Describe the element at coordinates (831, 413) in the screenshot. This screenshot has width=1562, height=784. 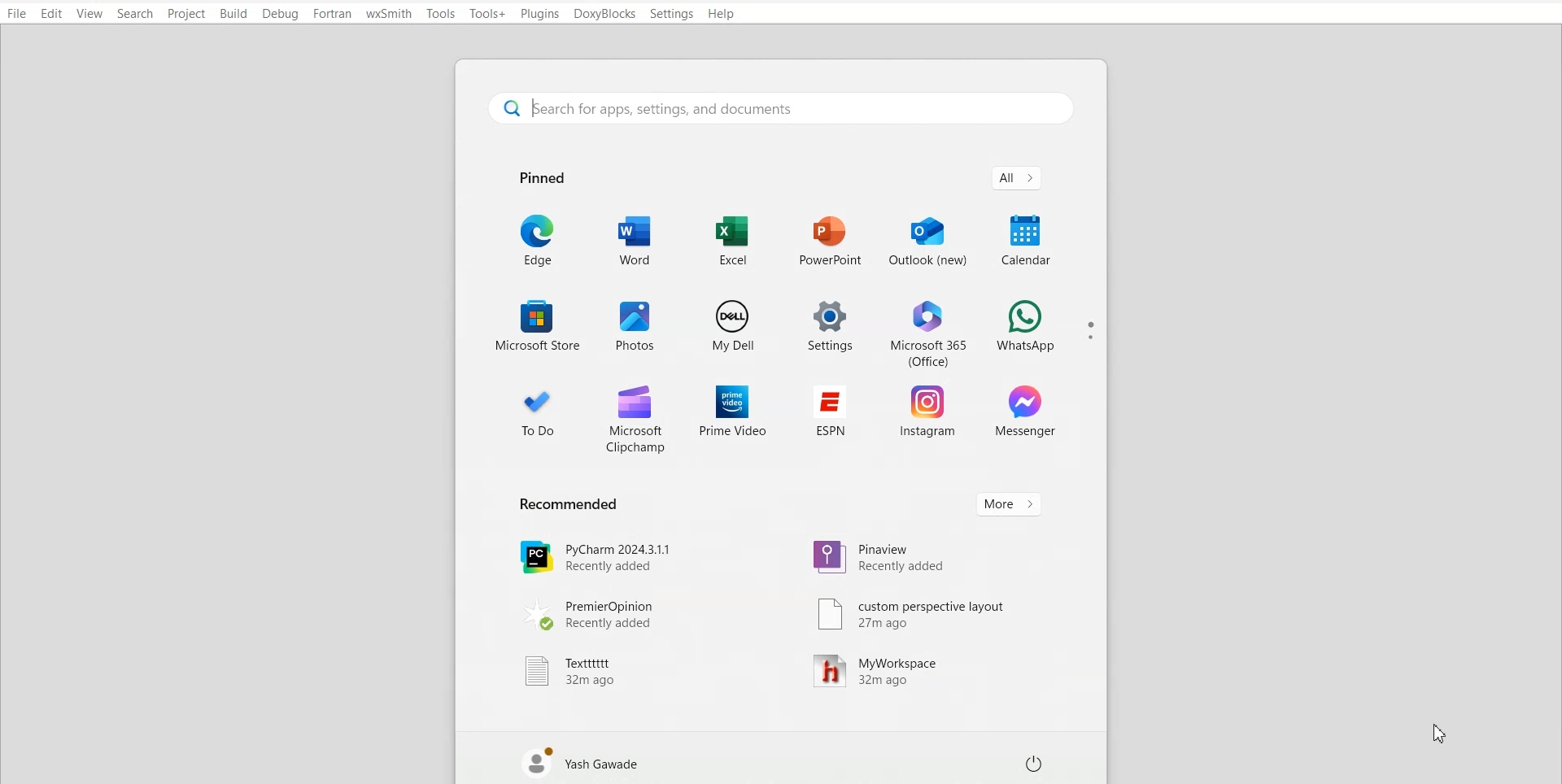
I see `ESPN` at that location.